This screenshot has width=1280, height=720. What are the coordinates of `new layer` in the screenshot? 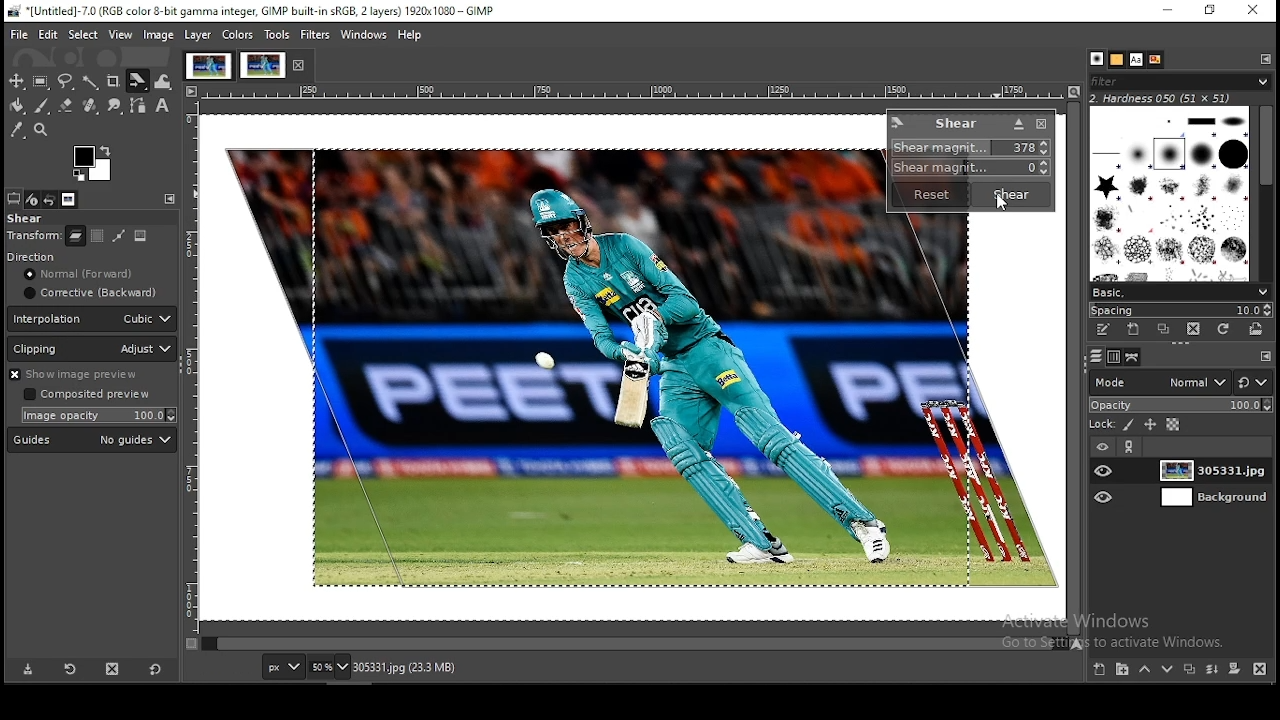 It's located at (1099, 670).